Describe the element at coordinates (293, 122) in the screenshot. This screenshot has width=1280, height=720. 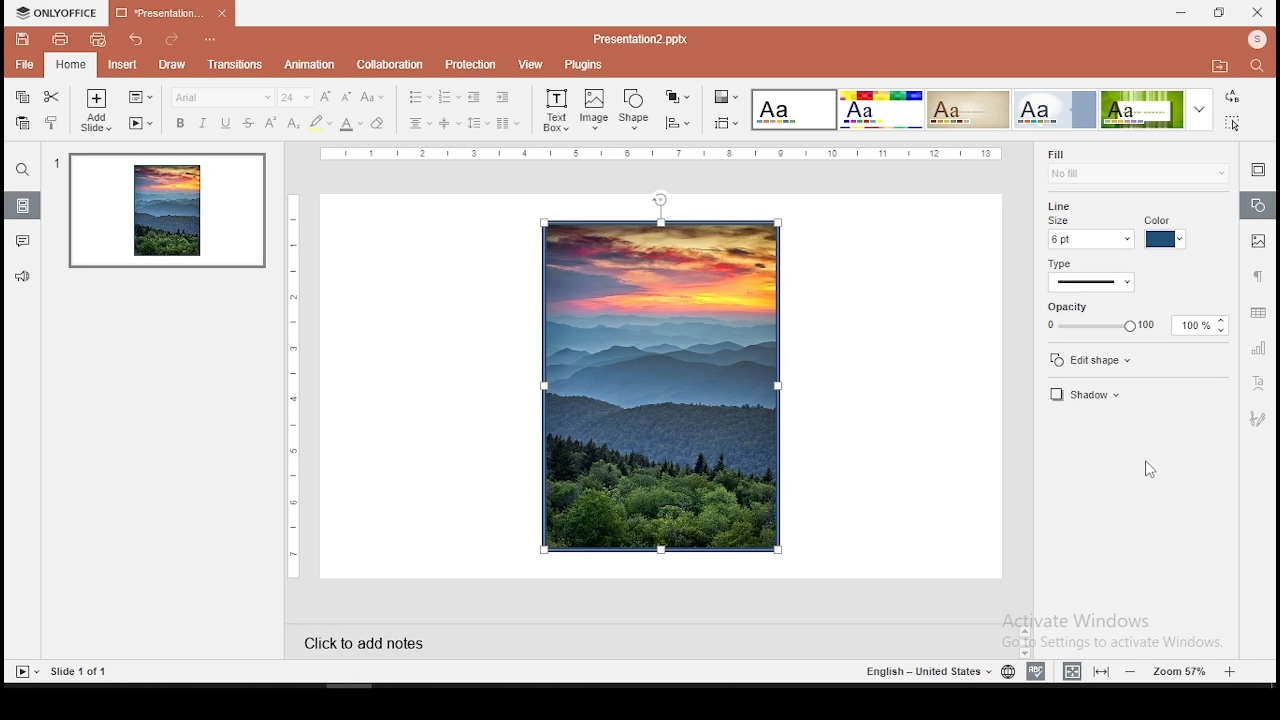
I see `subscript` at that location.